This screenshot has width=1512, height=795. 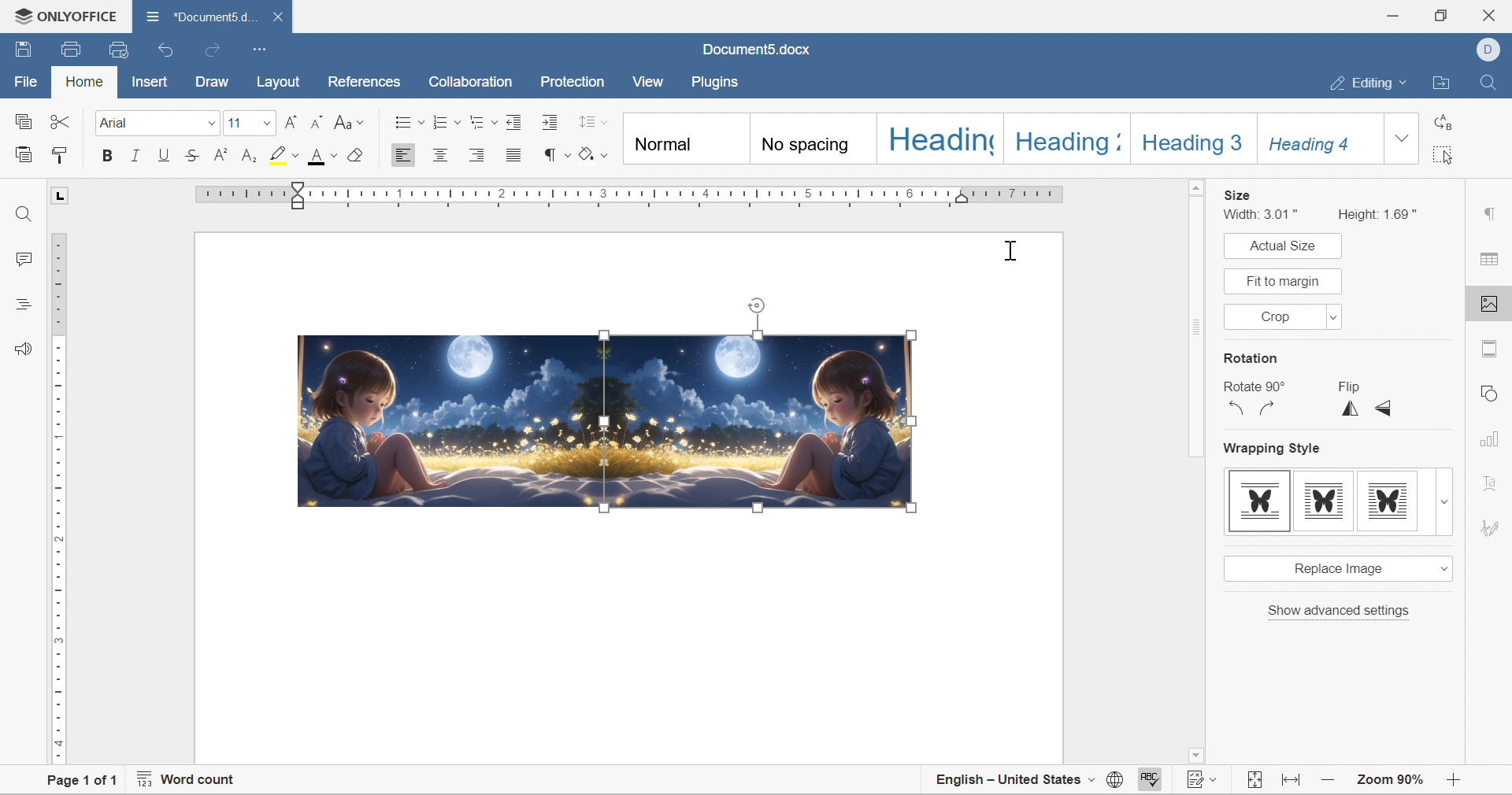 What do you see at coordinates (22, 121) in the screenshot?
I see `copy` at bounding box center [22, 121].